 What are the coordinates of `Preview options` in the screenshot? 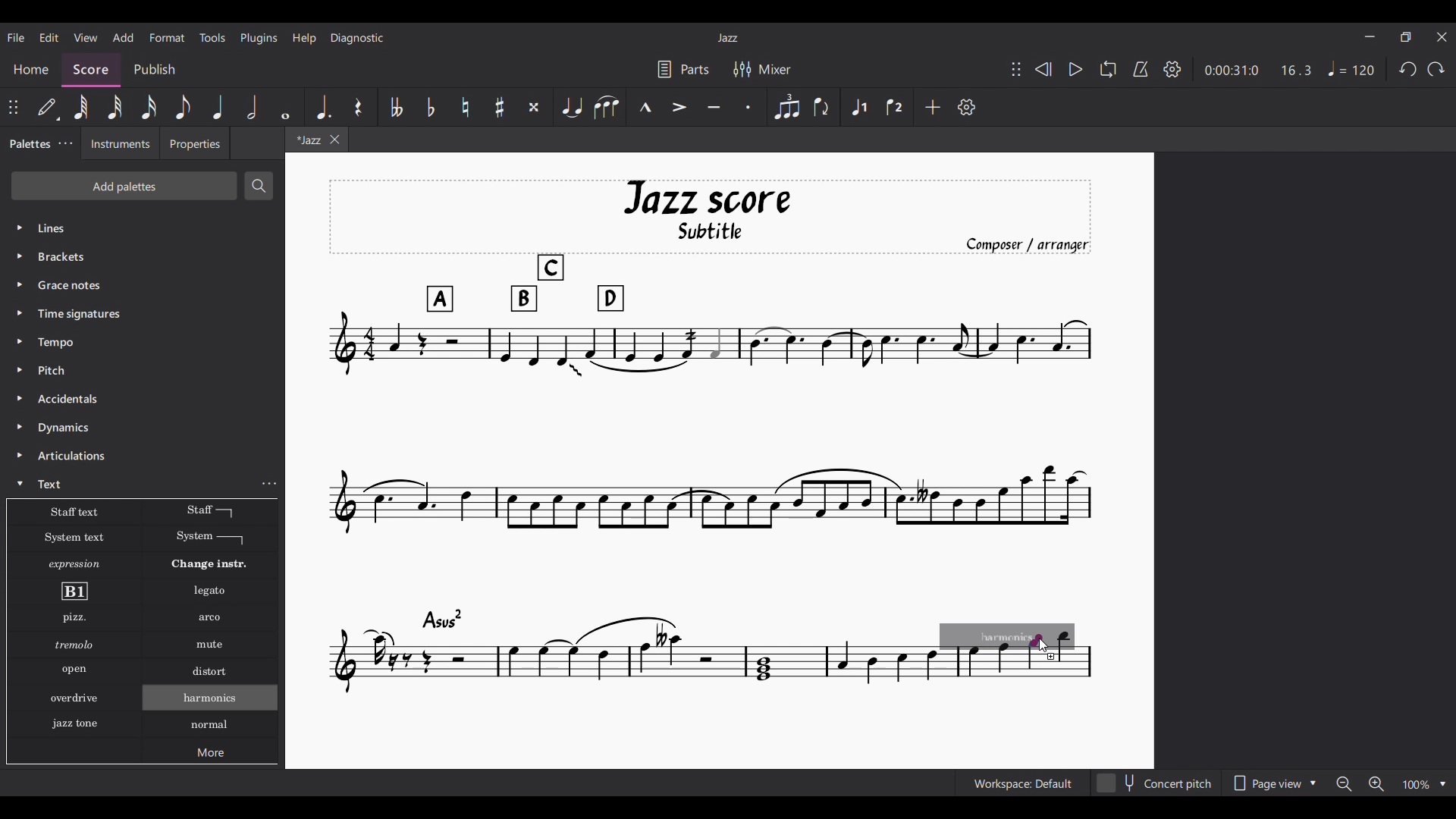 It's located at (1275, 783).